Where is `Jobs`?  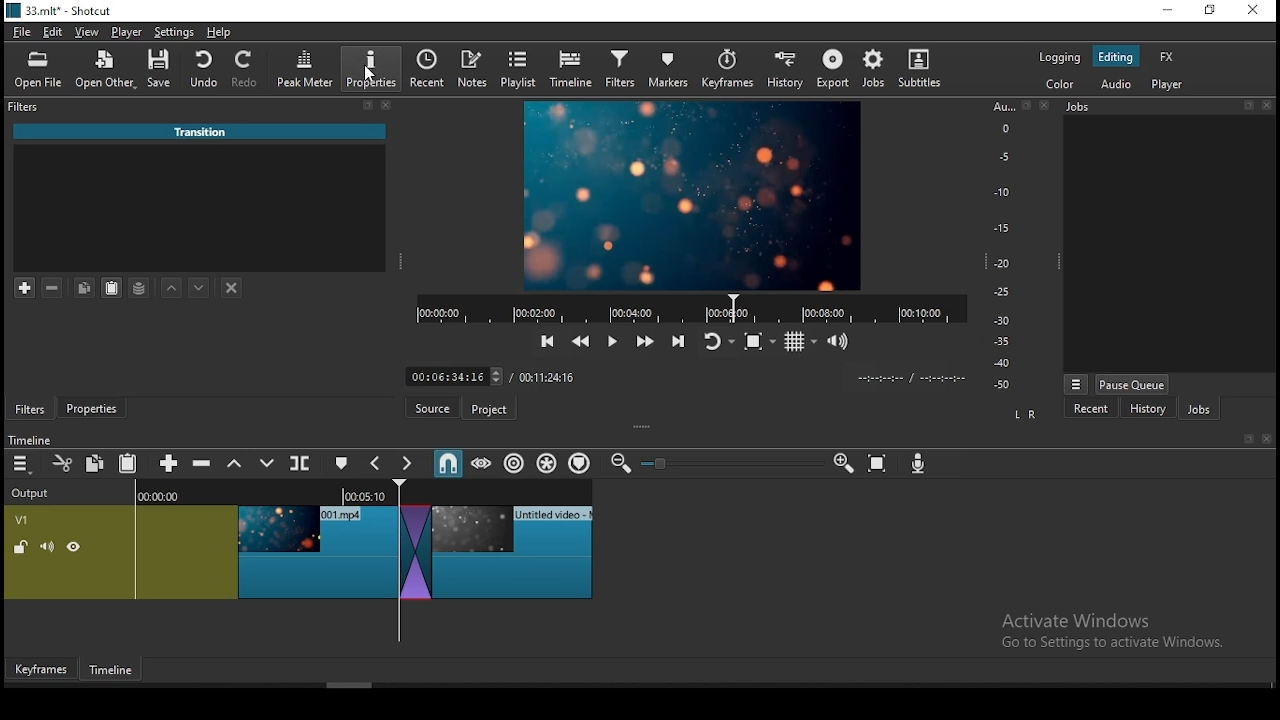 Jobs is located at coordinates (1086, 110).